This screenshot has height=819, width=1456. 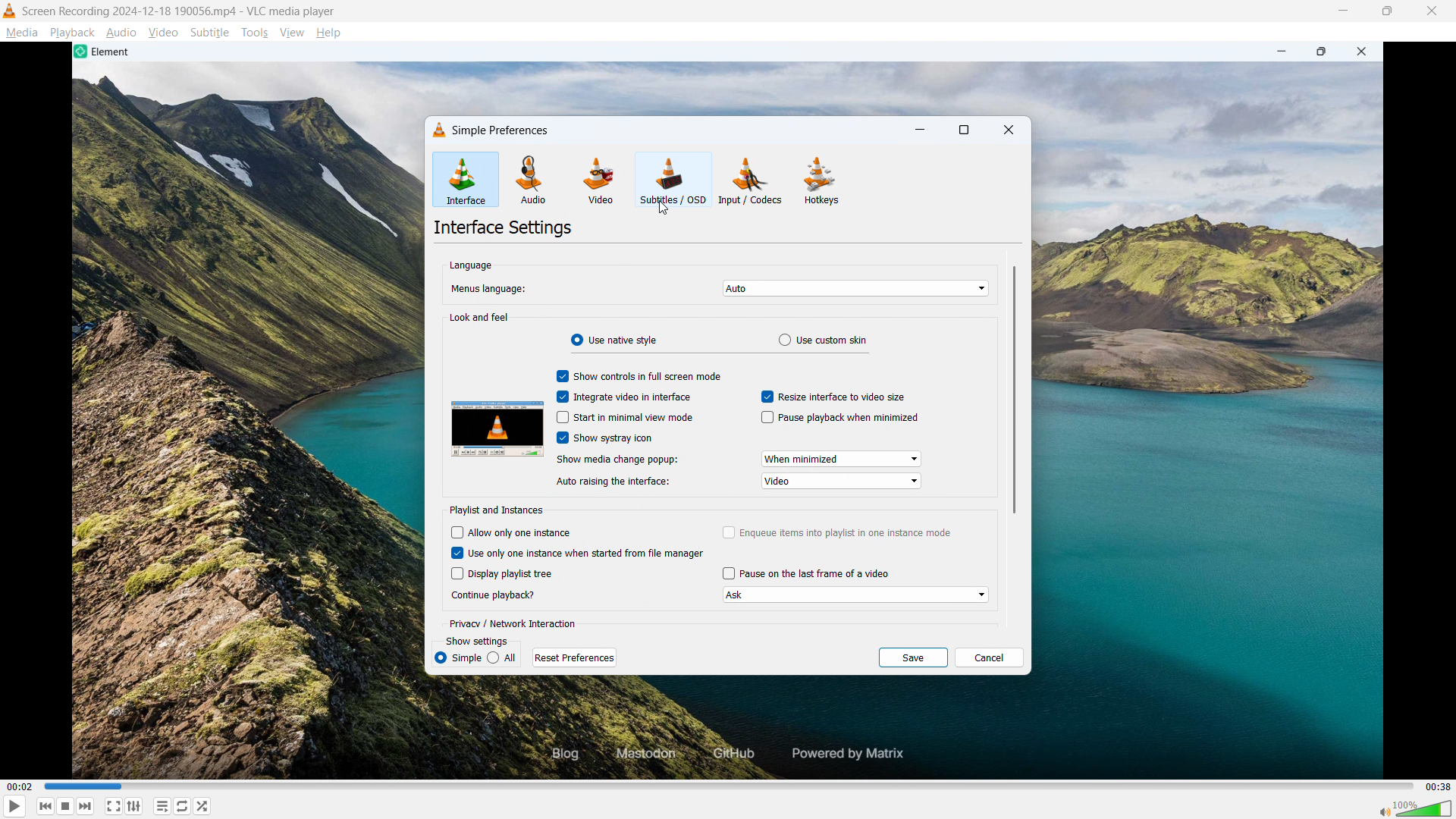 What do you see at coordinates (184, 806) in the screenshot?
I see `Toggle between loop all, loop one and no loop ` at bounding box center [184, 806].